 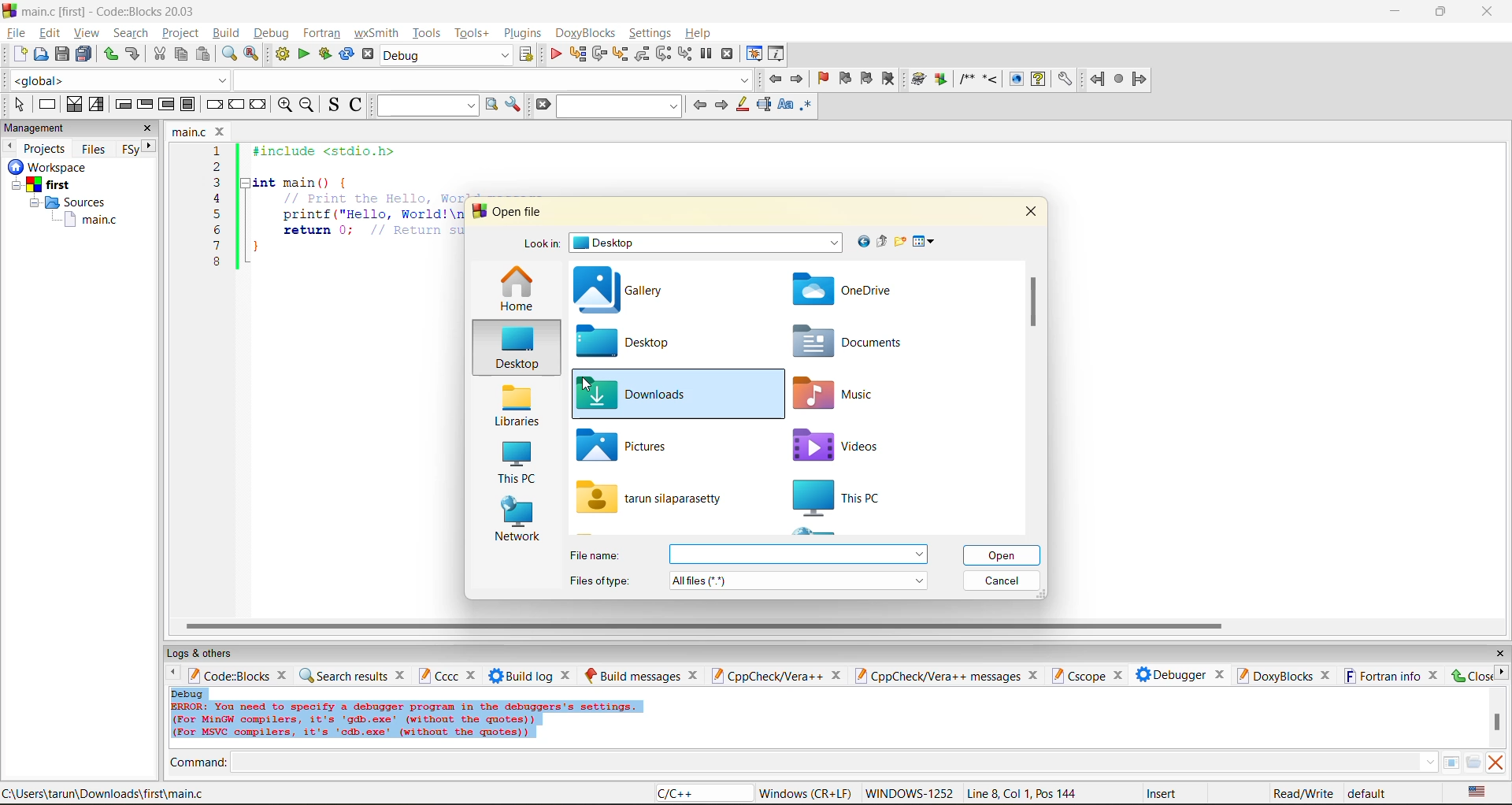 I want to click on music, so click(x=843, y=395).